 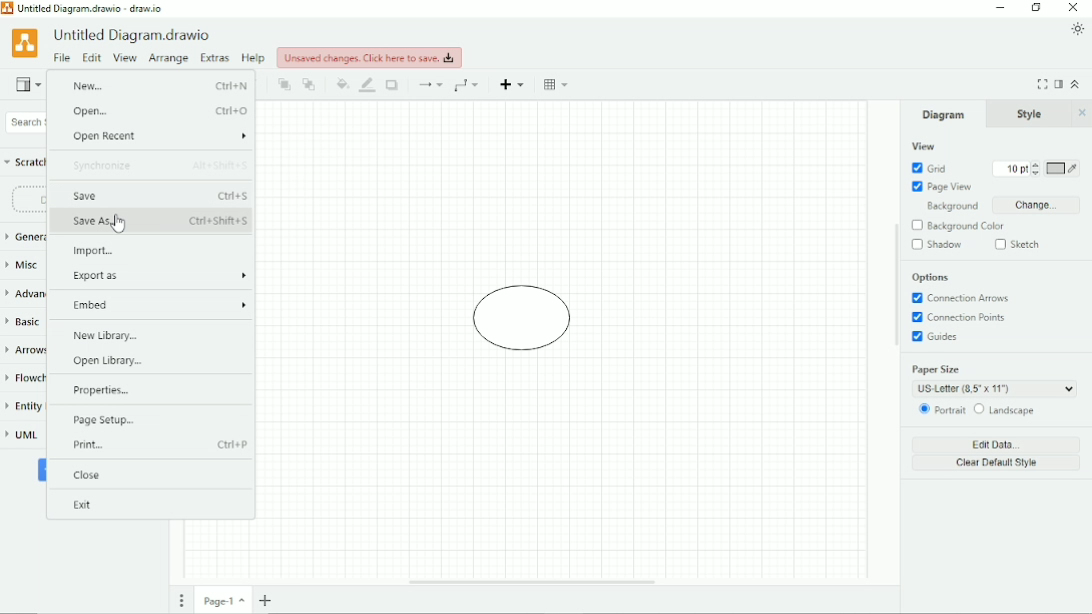 I want to click on Synchronize , so click(x=156, y=166).